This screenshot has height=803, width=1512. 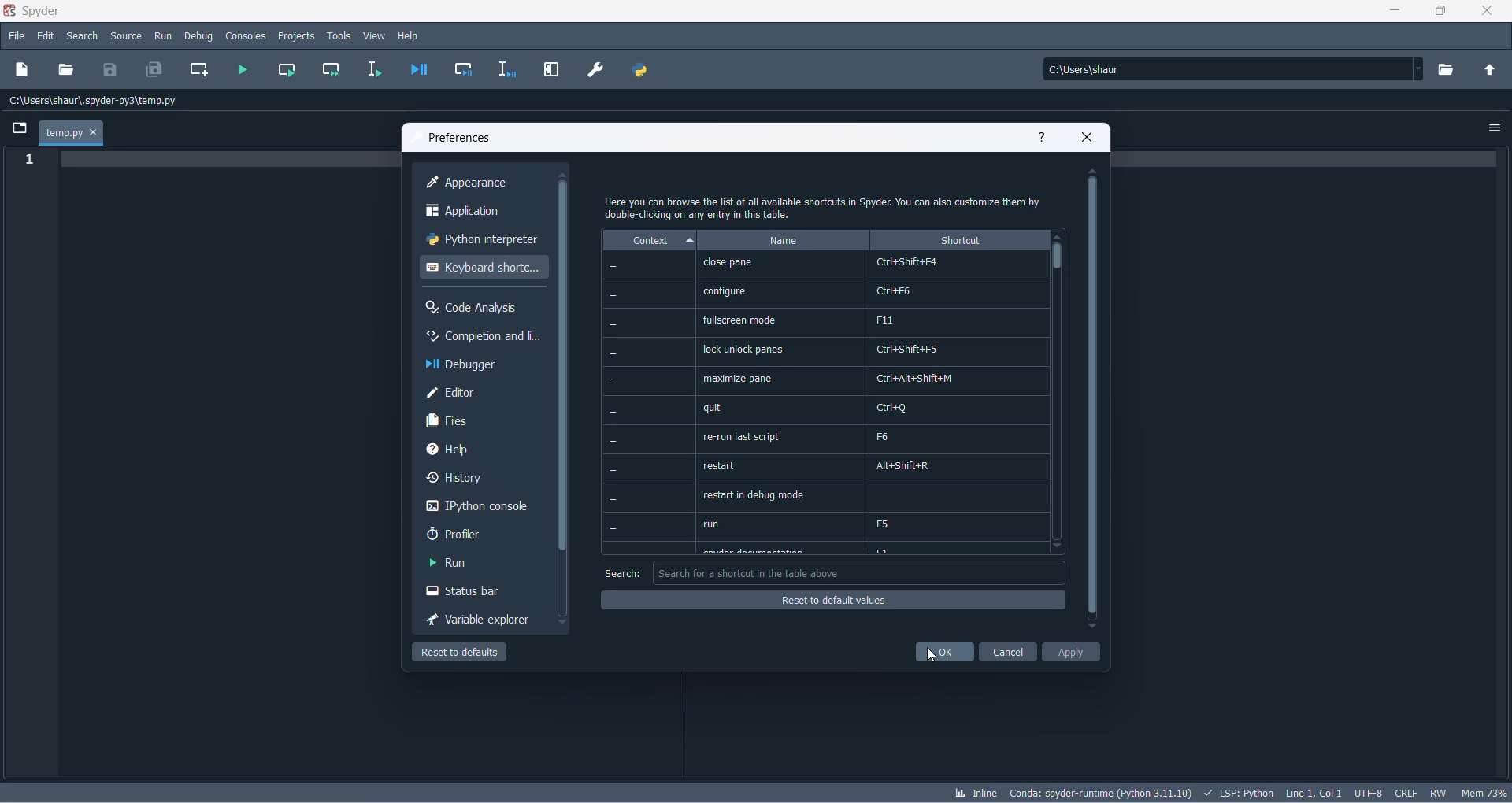 What do you see at coordinates (1009, 653) in the screenshot?
I see `cancel` at bounding box center [1009, 653].